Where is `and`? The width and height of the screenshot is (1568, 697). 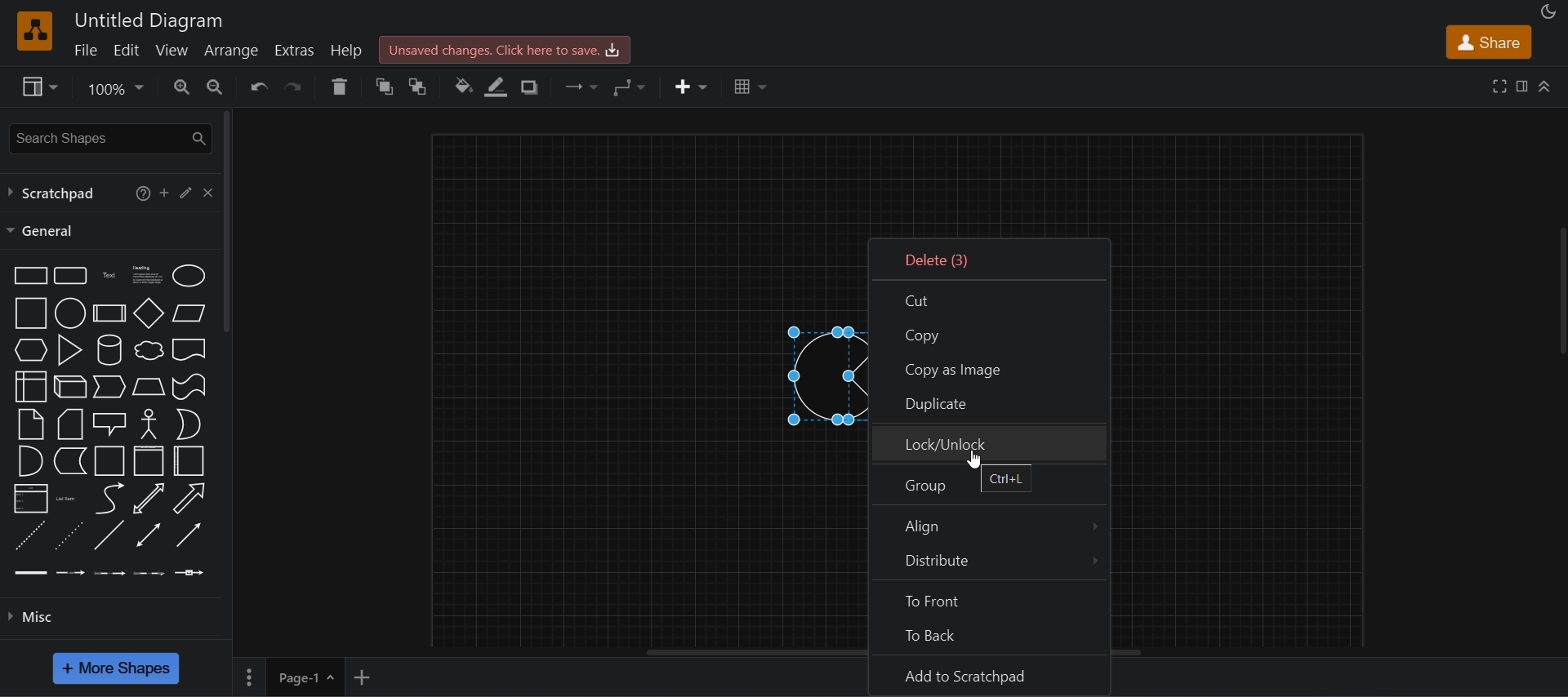
and is located at coordinates (29, 461).